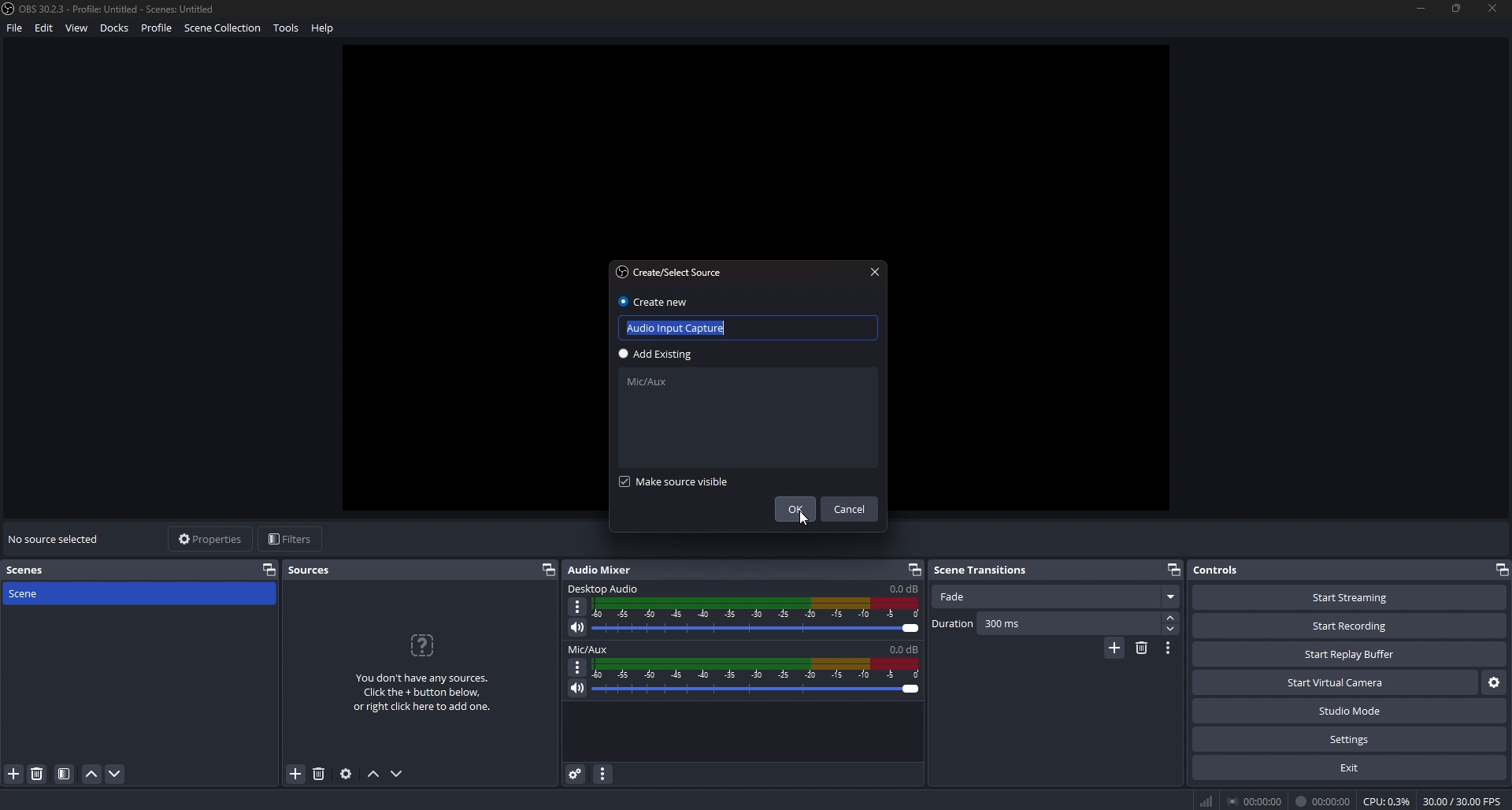  What do you see at coordinates (1171, 629) in the screenshot?
I see `decrease duration` at bounding box center [1171, 629].